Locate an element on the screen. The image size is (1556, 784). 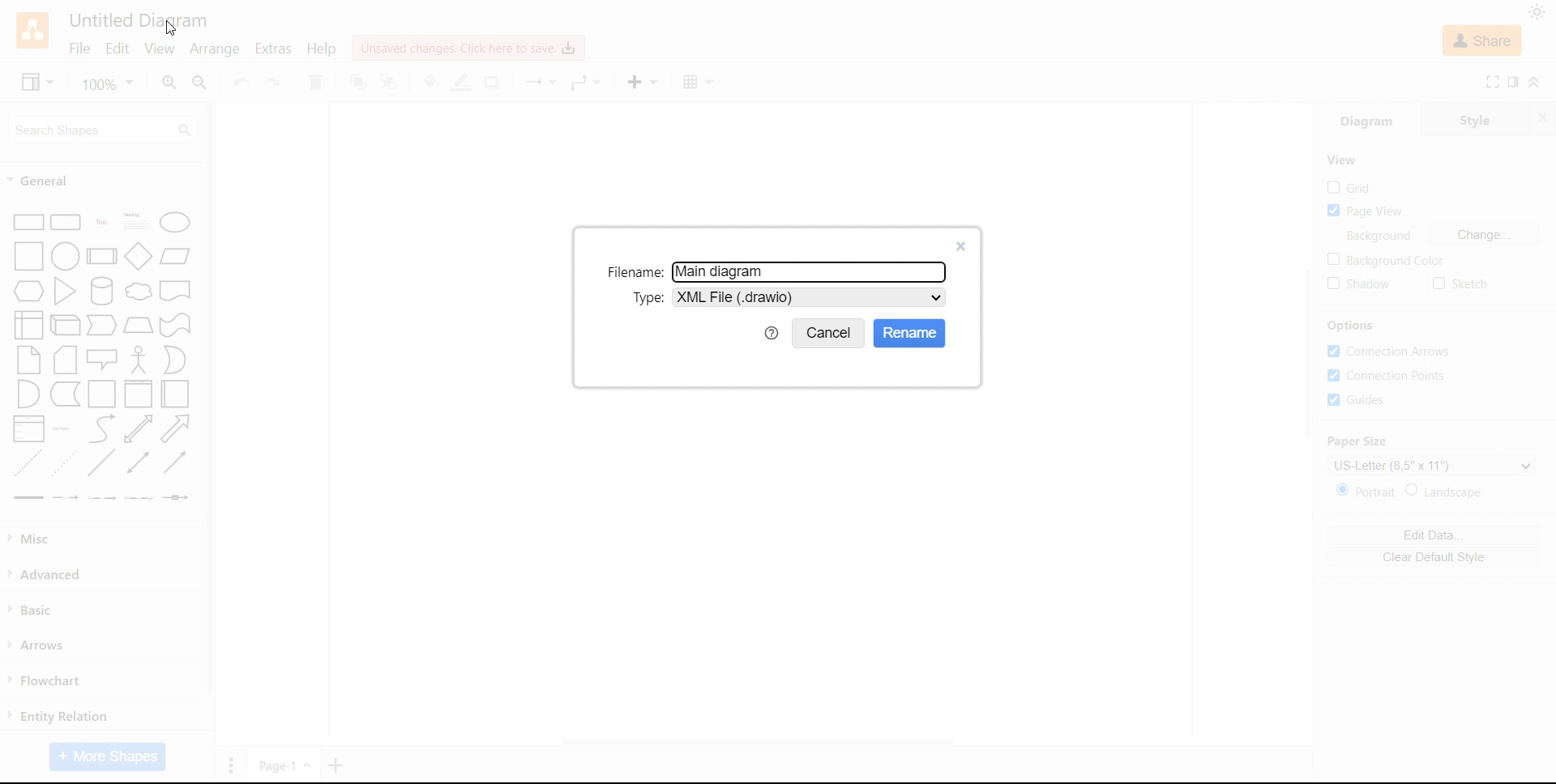
Waypoints  is located at coordinates (587, 83).